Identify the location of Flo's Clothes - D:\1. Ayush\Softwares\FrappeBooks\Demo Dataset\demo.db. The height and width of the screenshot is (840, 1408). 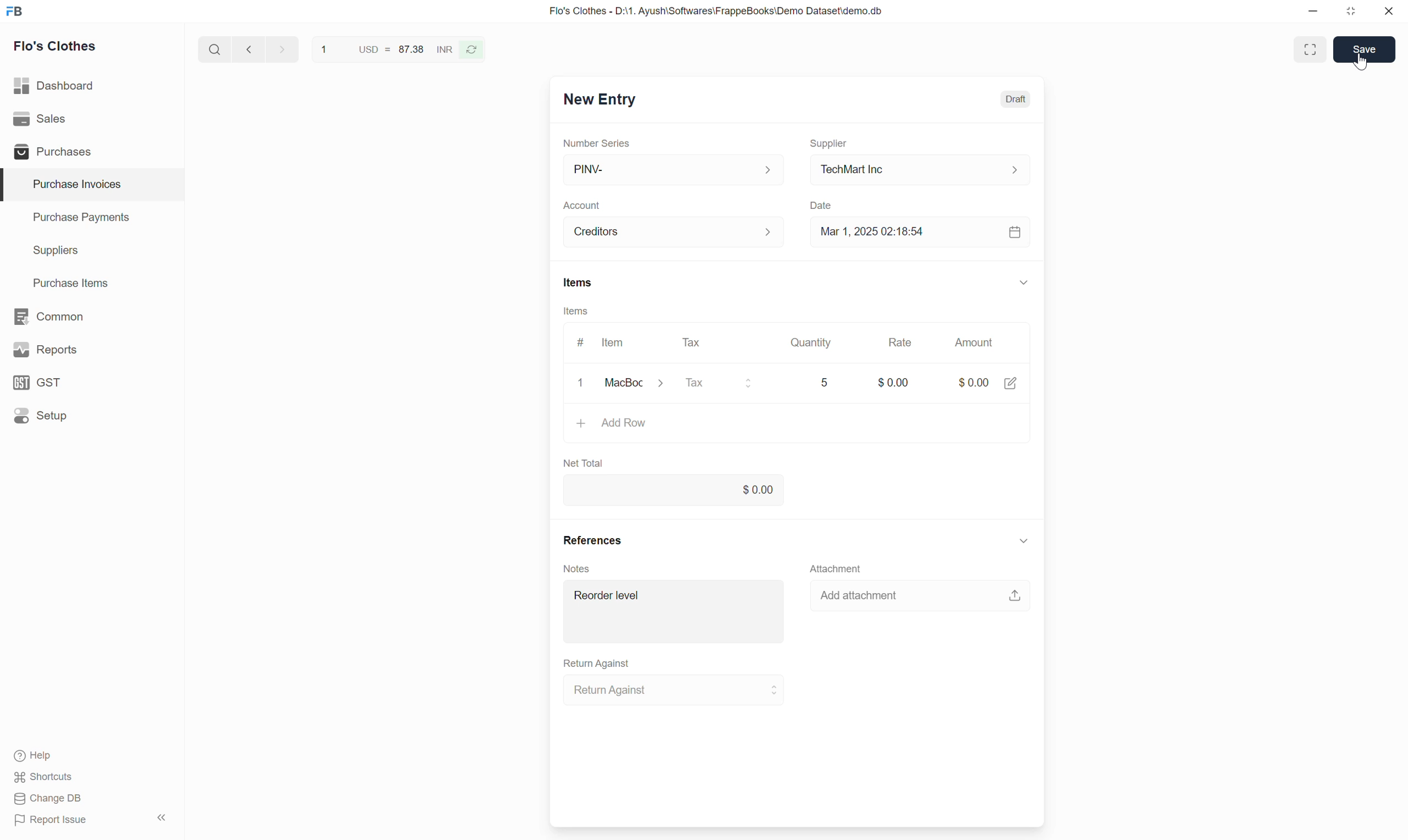
(716, 10).